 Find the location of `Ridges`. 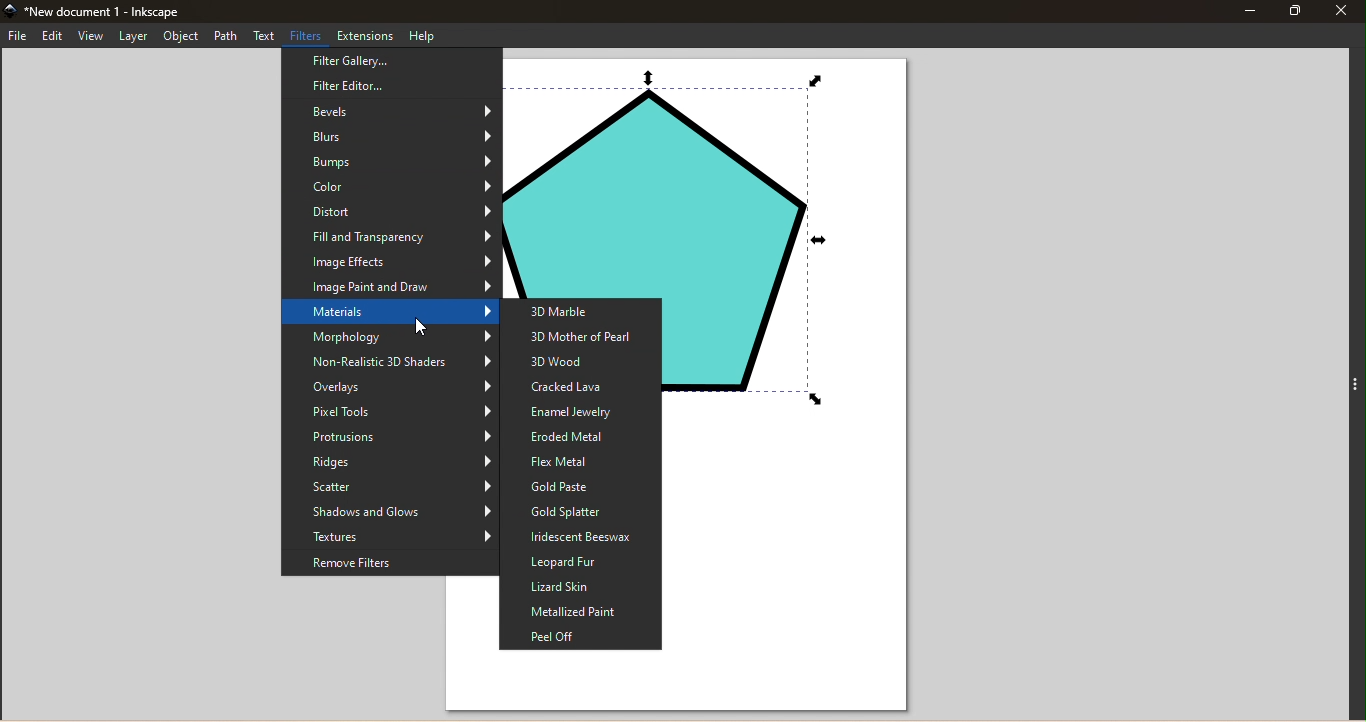

Ridges is located at coordinates (390, 463).